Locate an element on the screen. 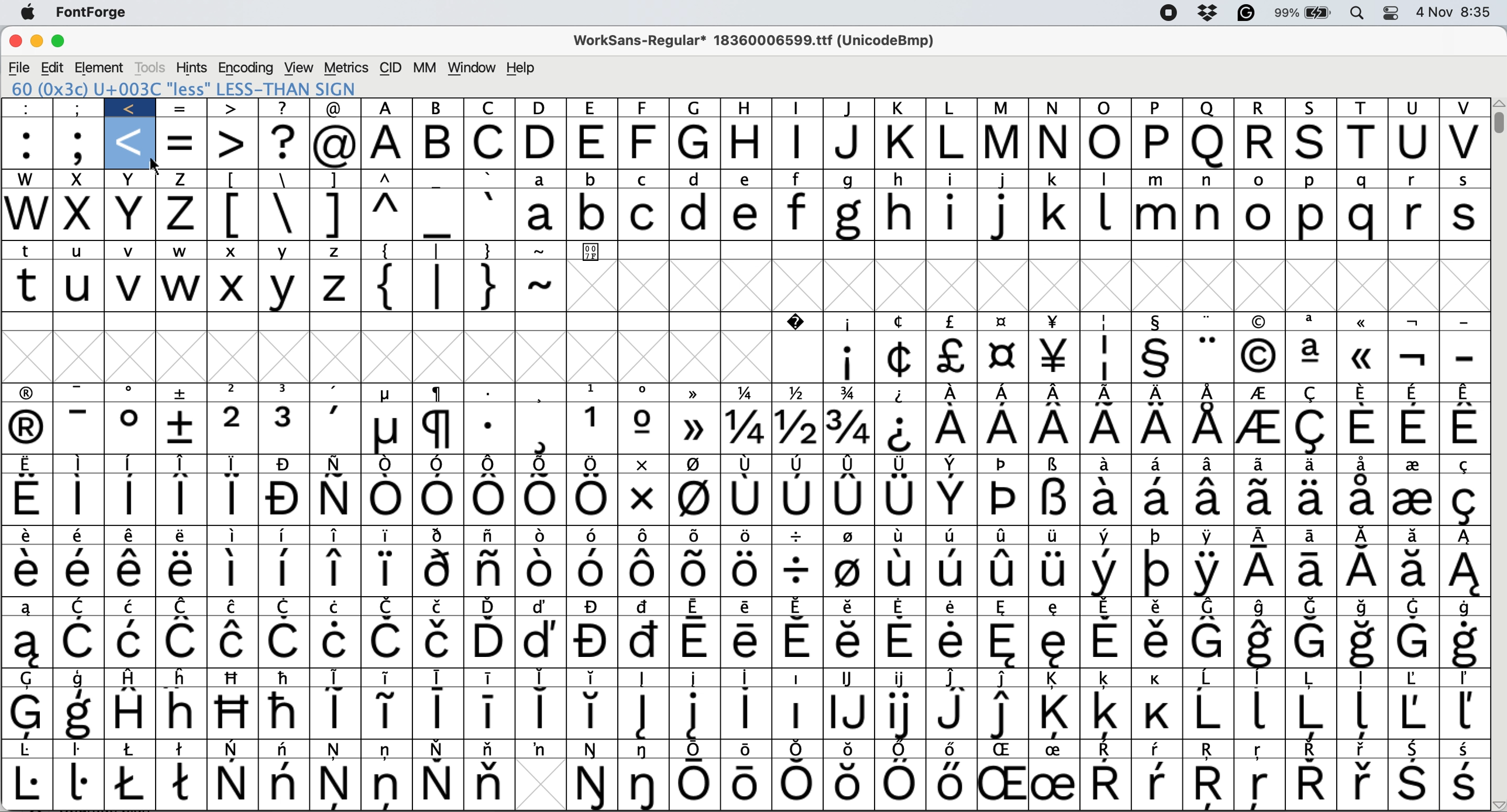  Symbol is located at coordinates (82, 465).